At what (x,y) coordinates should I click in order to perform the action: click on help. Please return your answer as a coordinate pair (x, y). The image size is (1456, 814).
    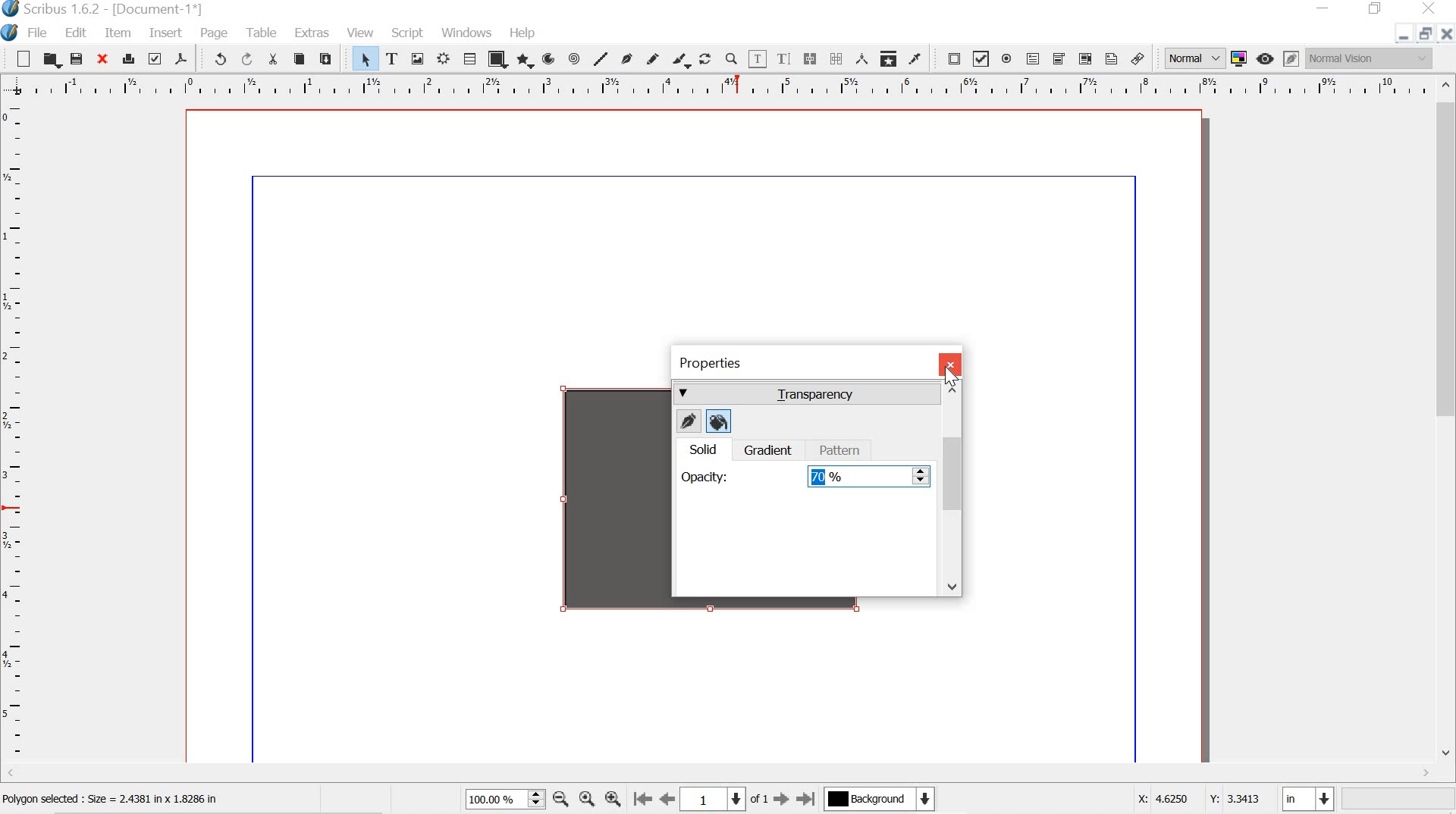
    Looking at the image, I should click on (522, 35).